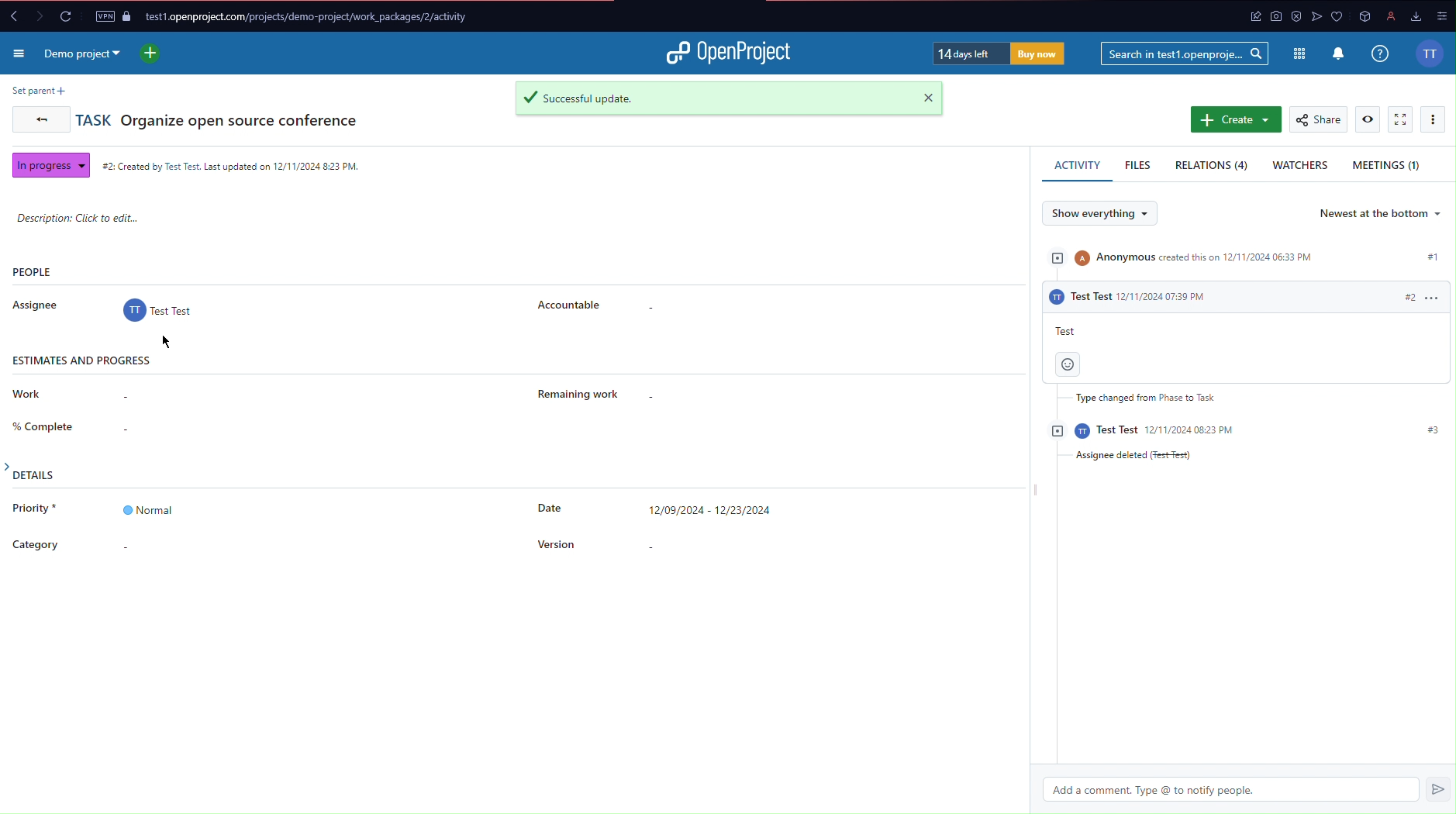 The width and height of the screenshot is (1456, 814). What do you see at coordinates (1252, 789) in the screenshot?
I see `Add a comment` at bounding box center [1252, 789].